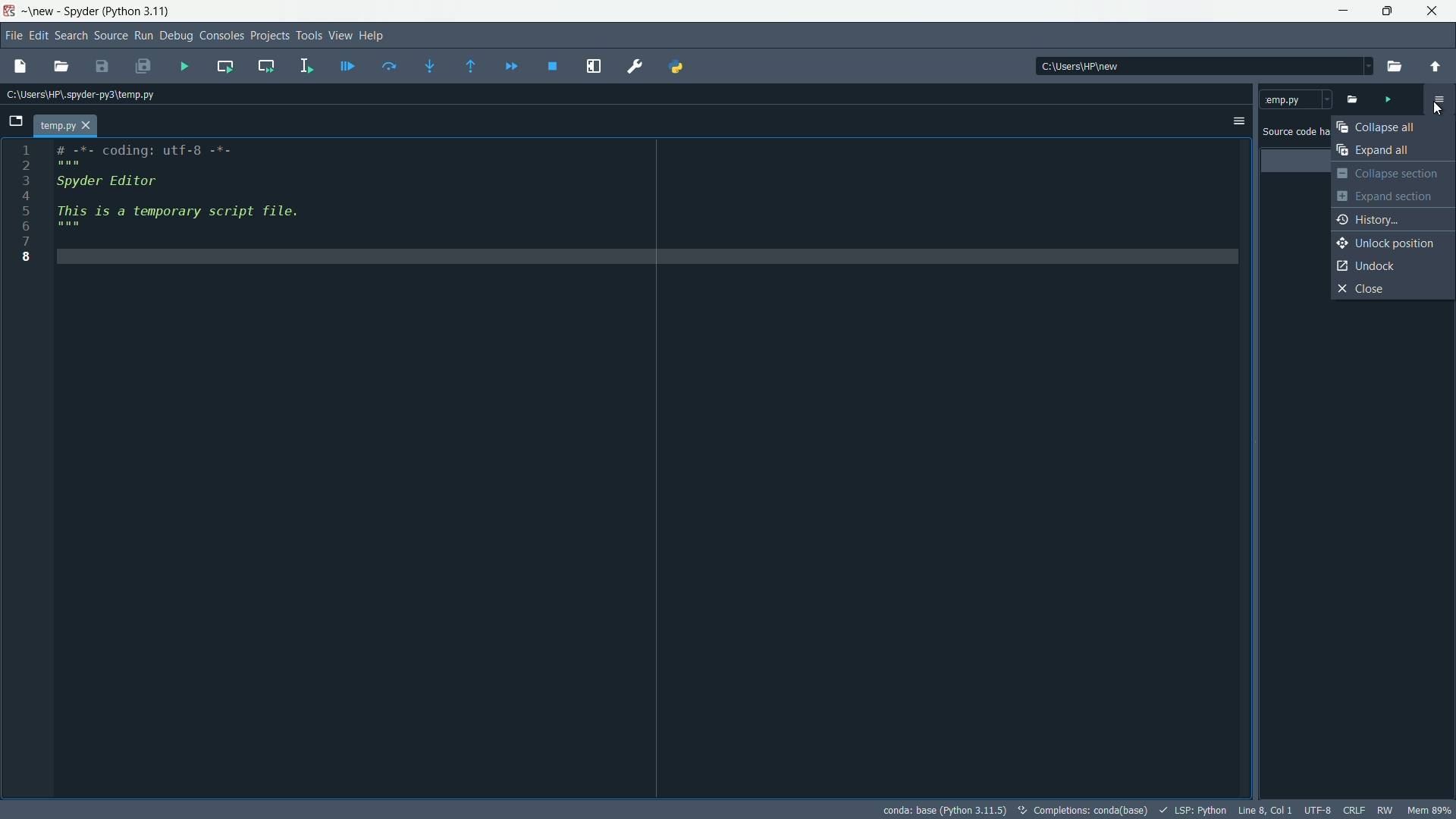  I want to click on file eol status, so click(1354, 809).